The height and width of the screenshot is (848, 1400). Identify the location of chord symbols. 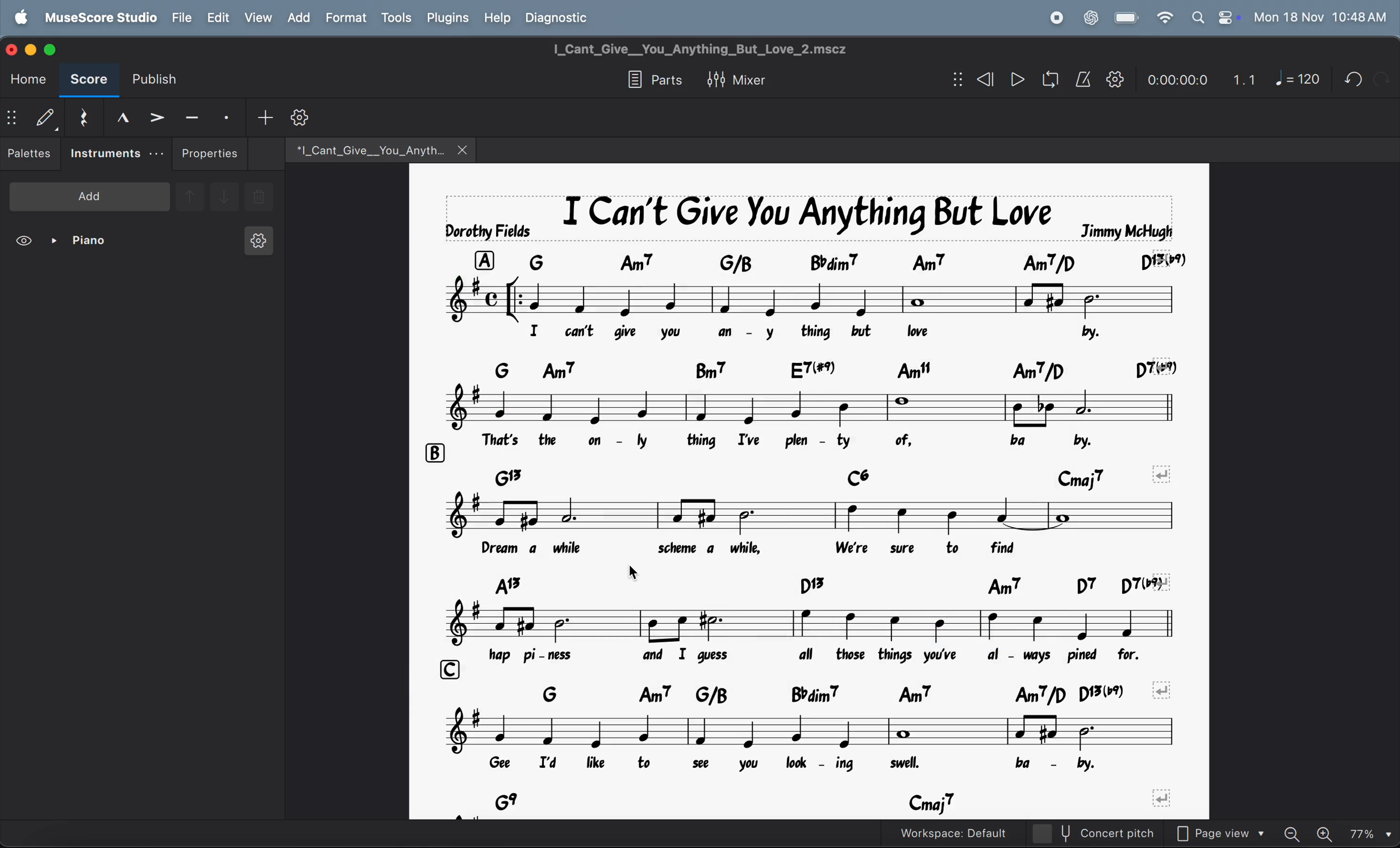
(755, 470).